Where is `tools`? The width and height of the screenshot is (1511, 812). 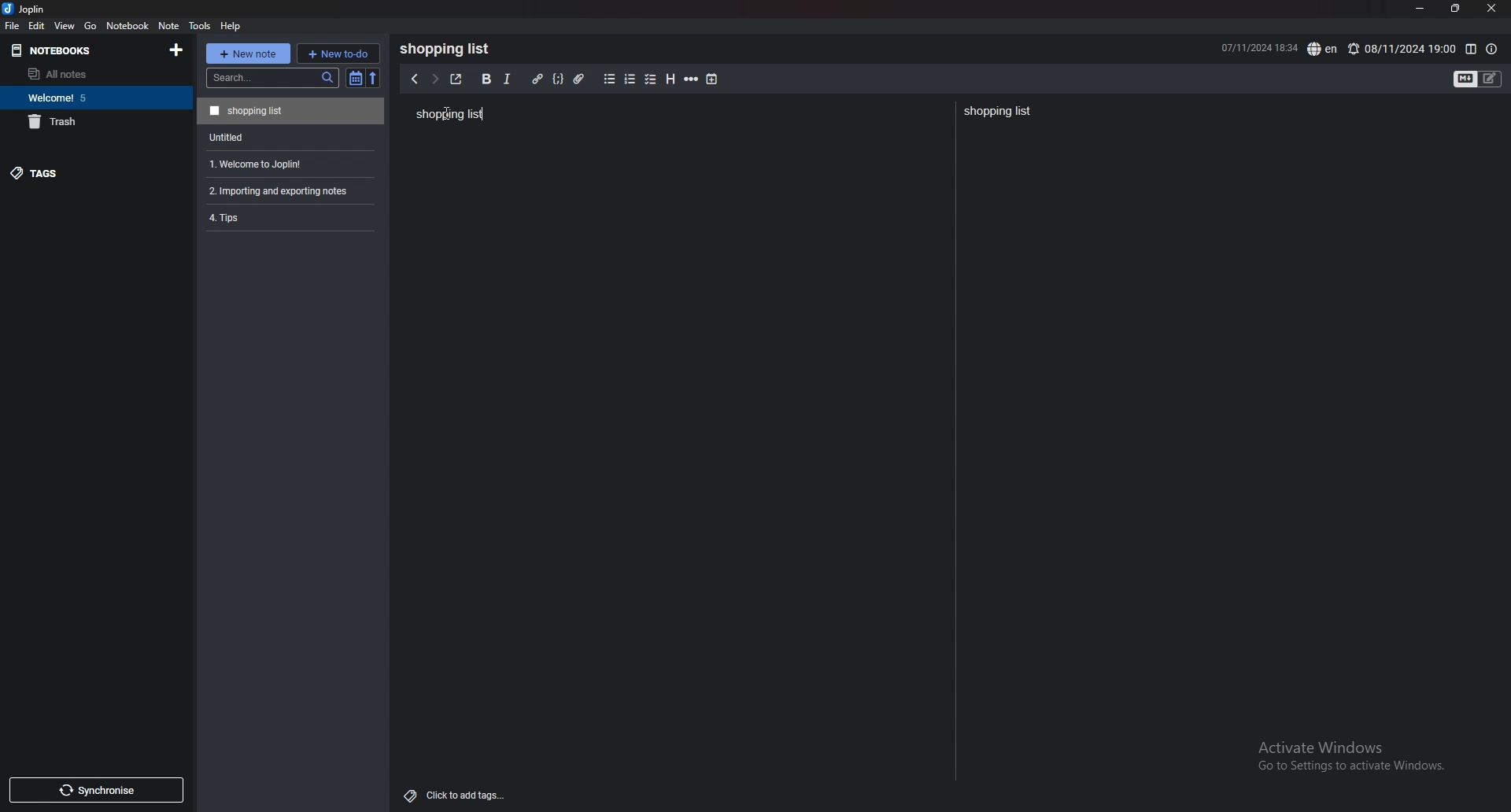
tools is located at coordinates (199, 26).